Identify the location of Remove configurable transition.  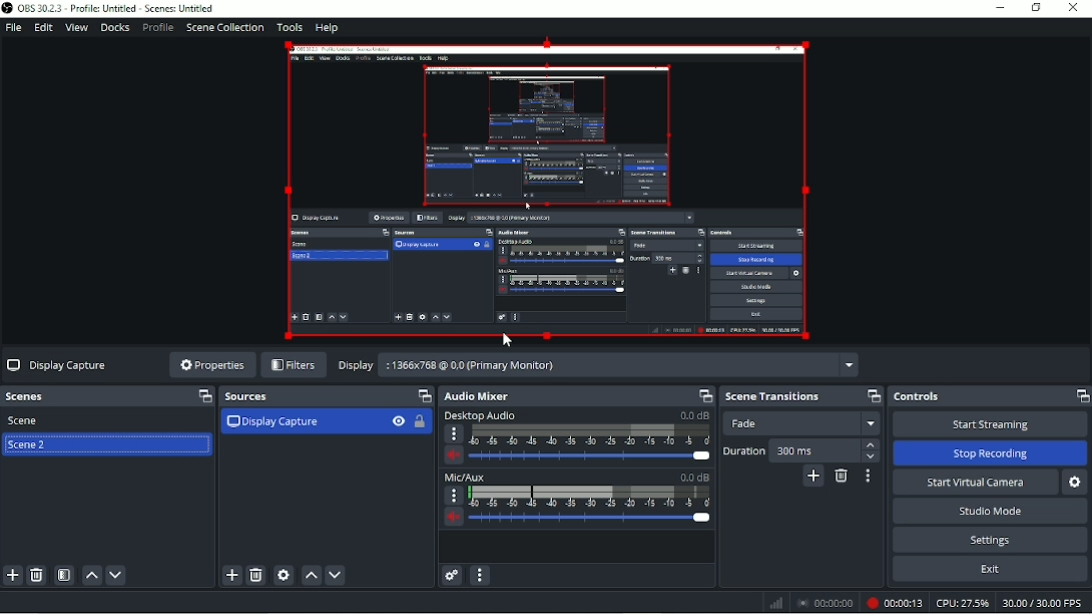
(841, 478).